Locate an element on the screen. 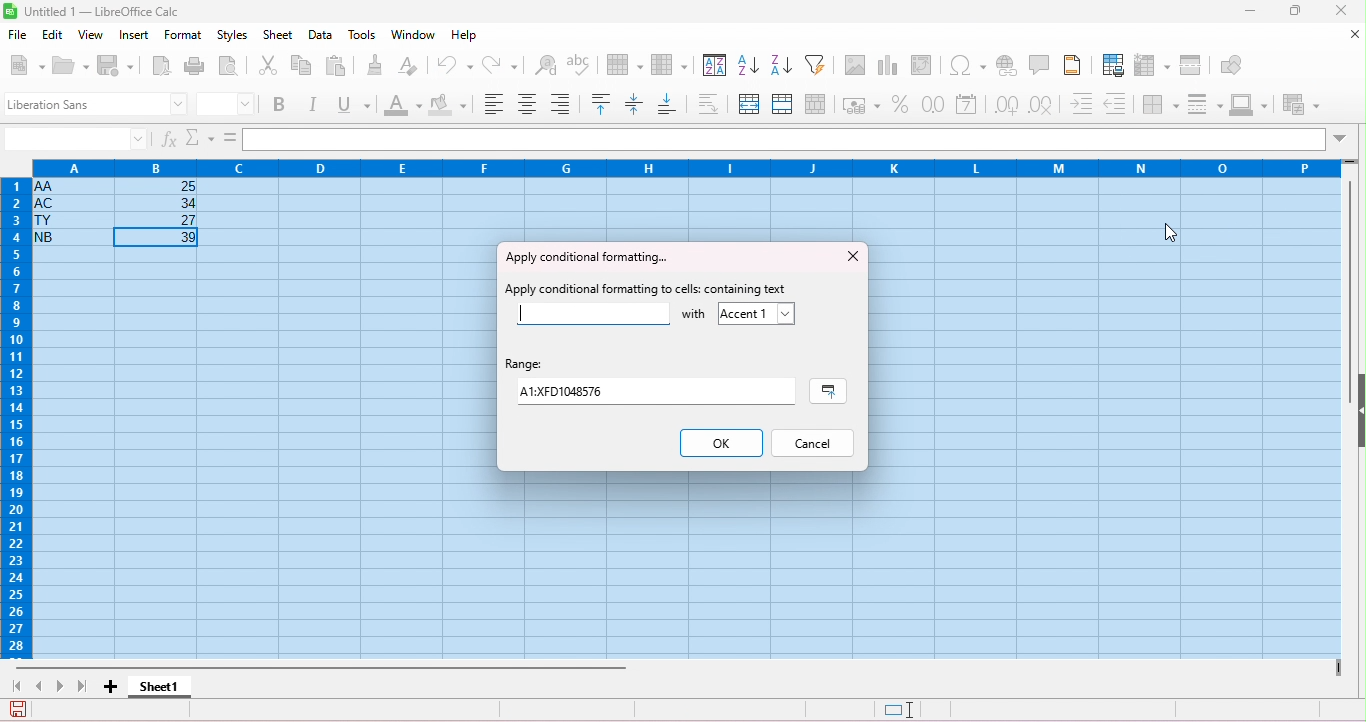  drag to view next columns is located at coordinates (1337, 666).